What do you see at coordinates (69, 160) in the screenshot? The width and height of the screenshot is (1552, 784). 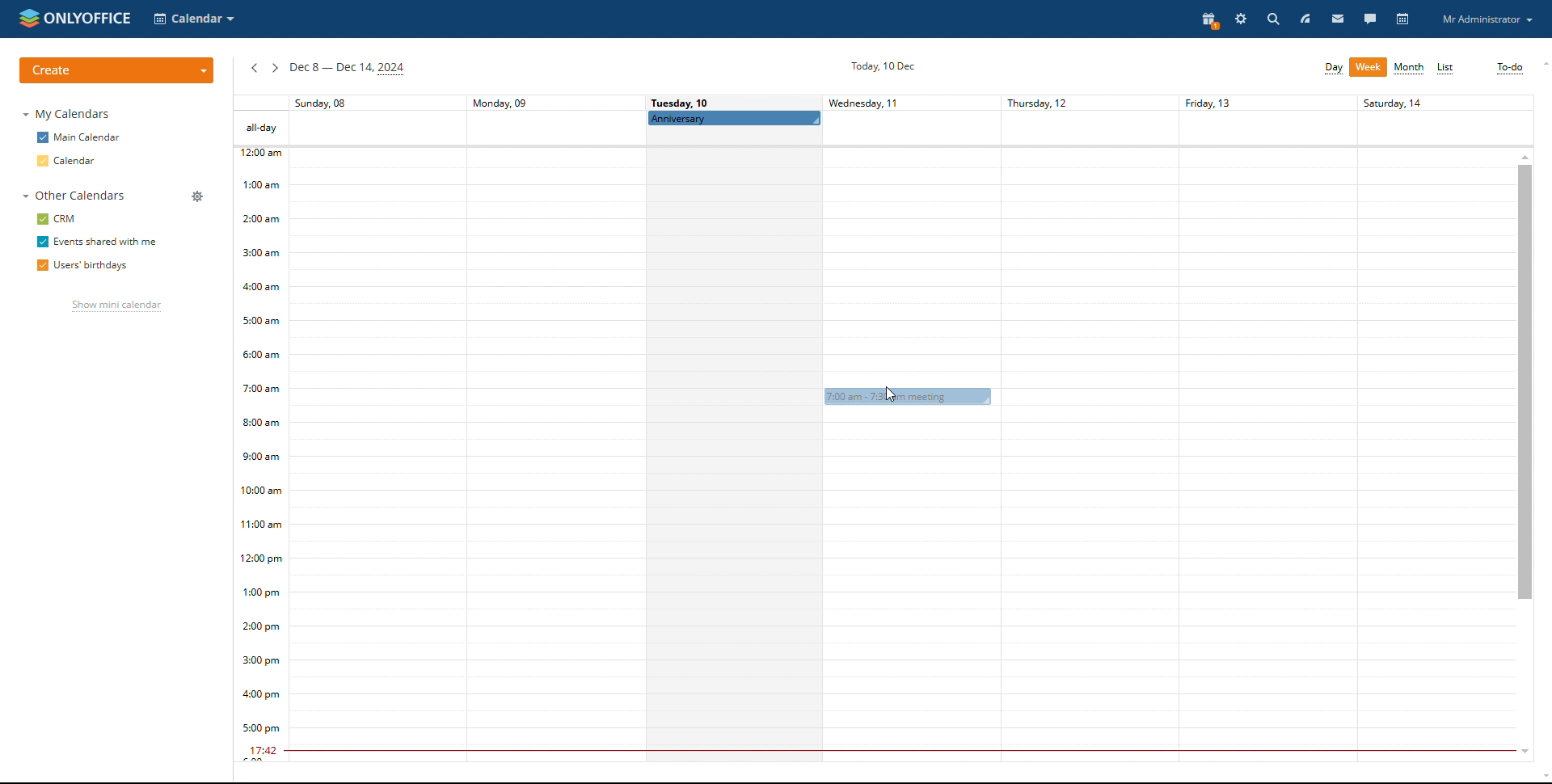 I see `calendar` at bounding box center [69, 160].